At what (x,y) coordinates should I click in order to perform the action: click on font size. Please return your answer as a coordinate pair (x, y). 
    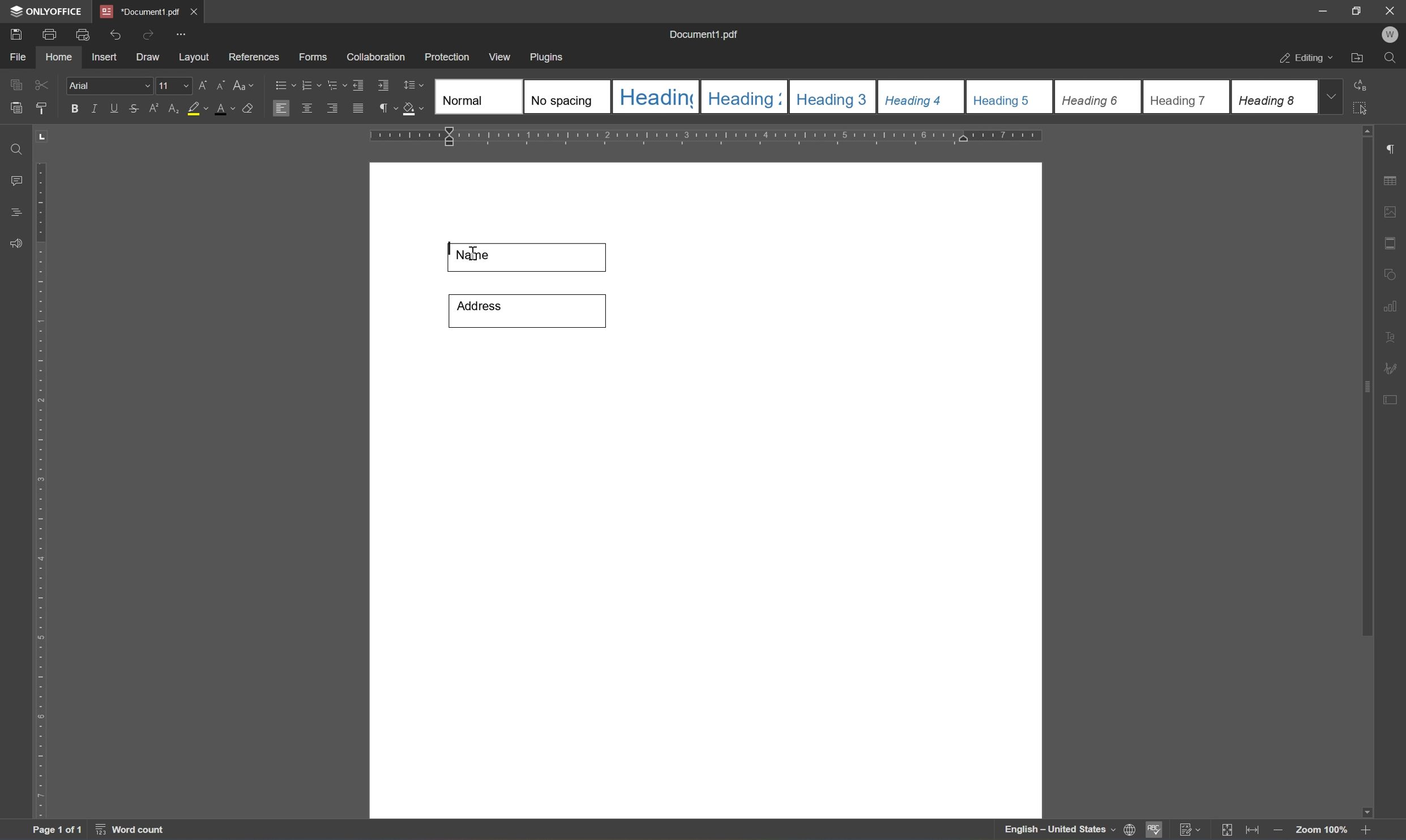
    Looking at the image, I should click on (174, 85).